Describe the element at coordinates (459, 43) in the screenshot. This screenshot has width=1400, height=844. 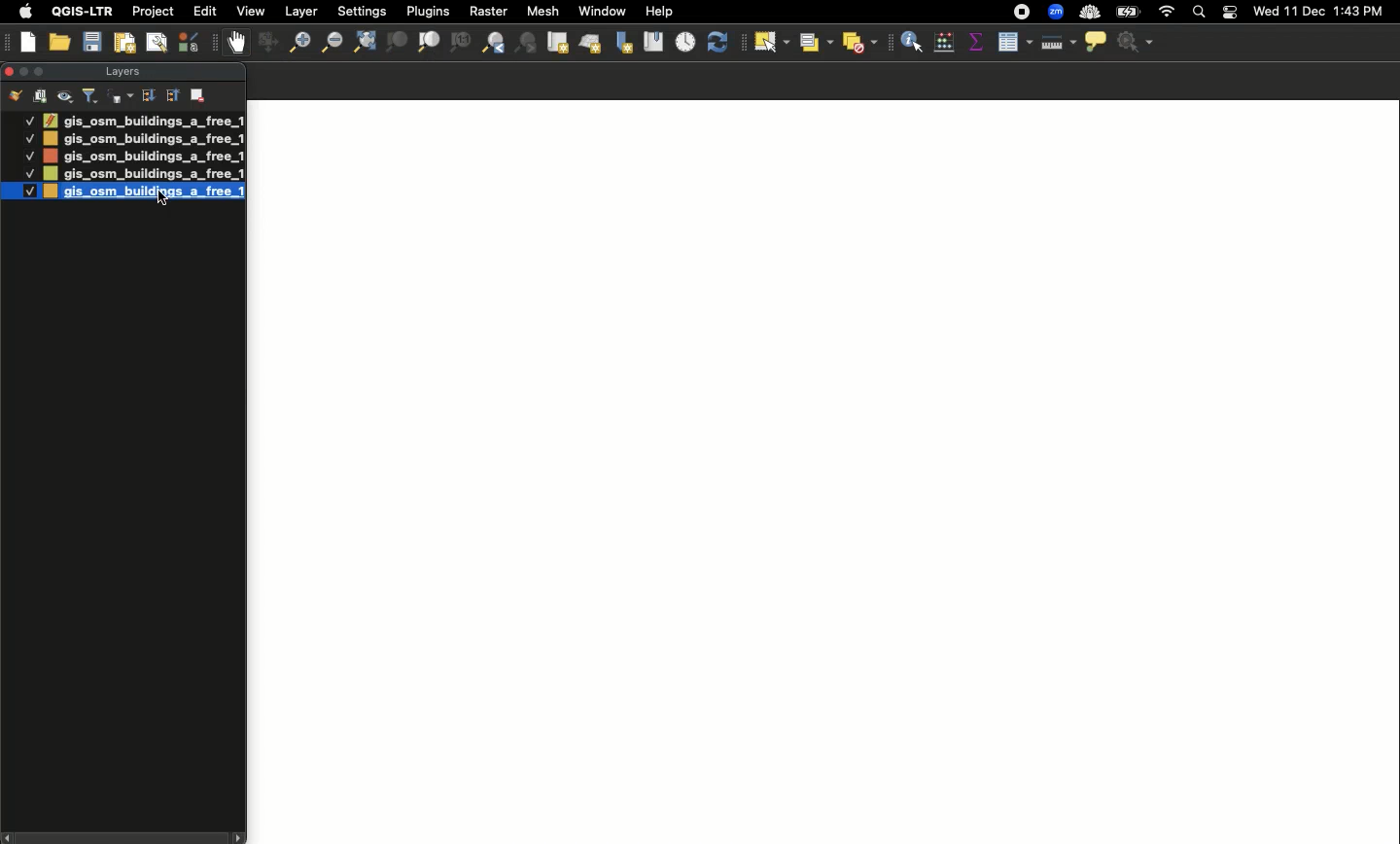
I see `1:1` at that location.